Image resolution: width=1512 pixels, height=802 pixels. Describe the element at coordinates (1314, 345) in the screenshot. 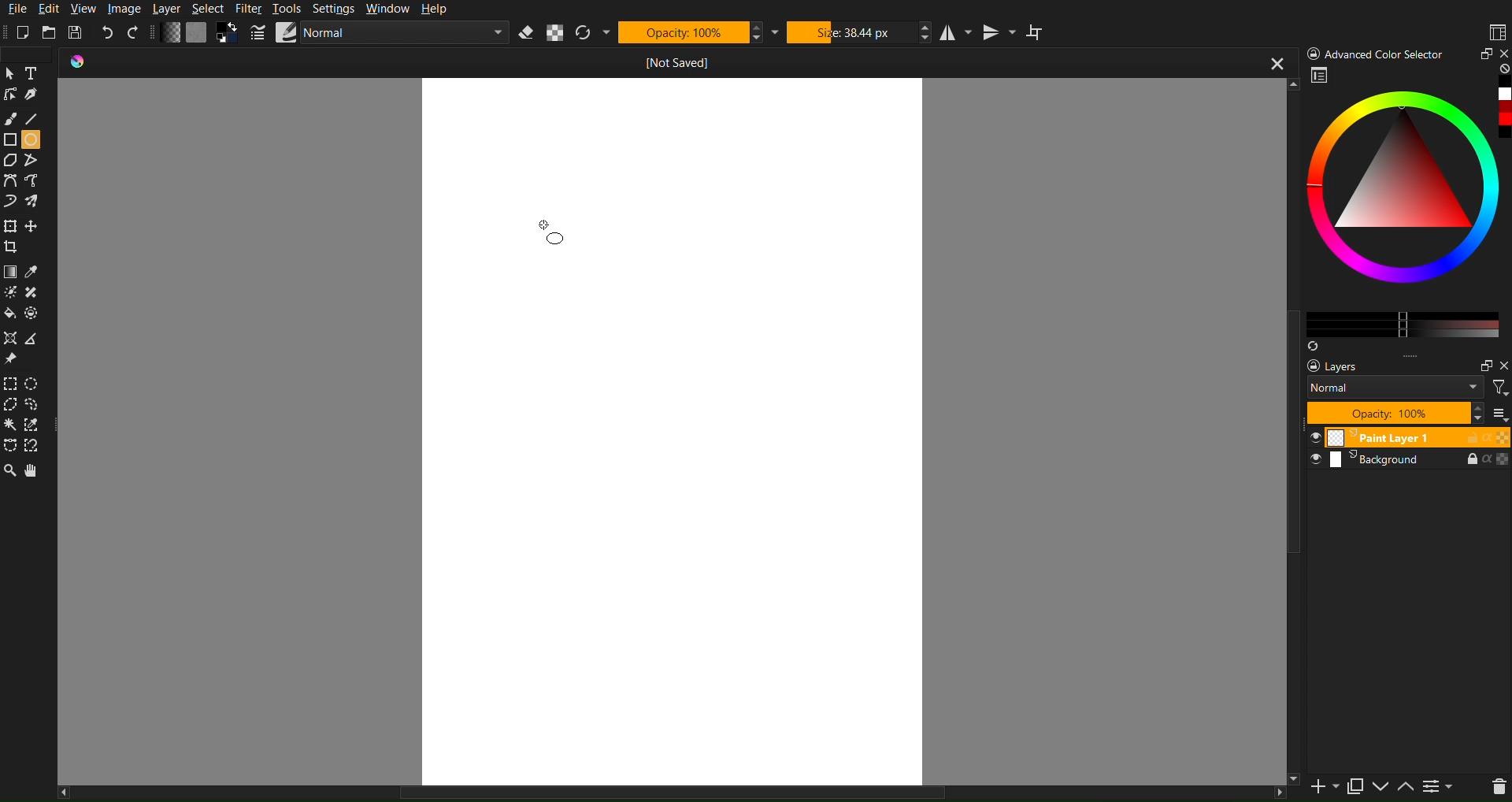

I see `Syns` at that location.